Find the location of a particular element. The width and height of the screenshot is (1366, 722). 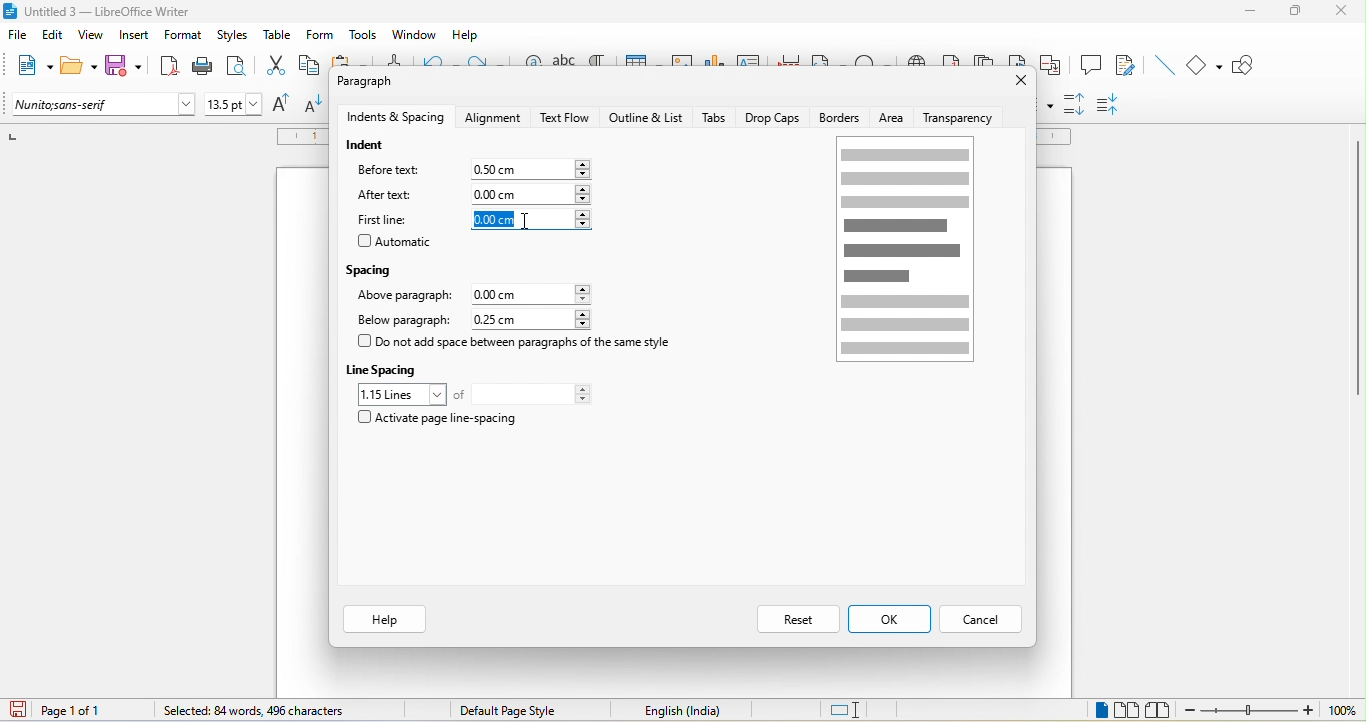

page 1 of 1 is located at coordinates (87, 710).